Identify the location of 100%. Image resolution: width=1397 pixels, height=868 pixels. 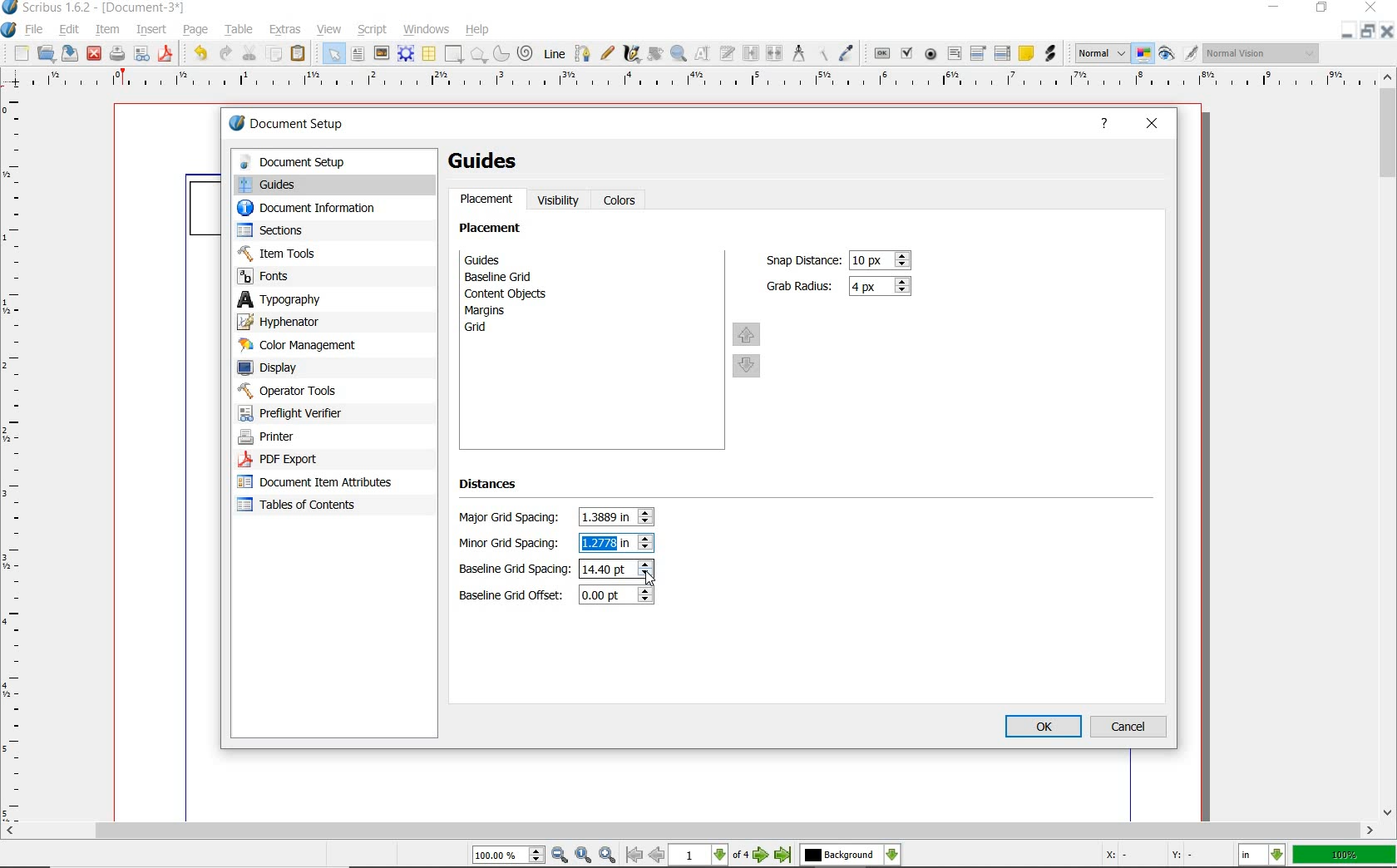
(1345, 855).